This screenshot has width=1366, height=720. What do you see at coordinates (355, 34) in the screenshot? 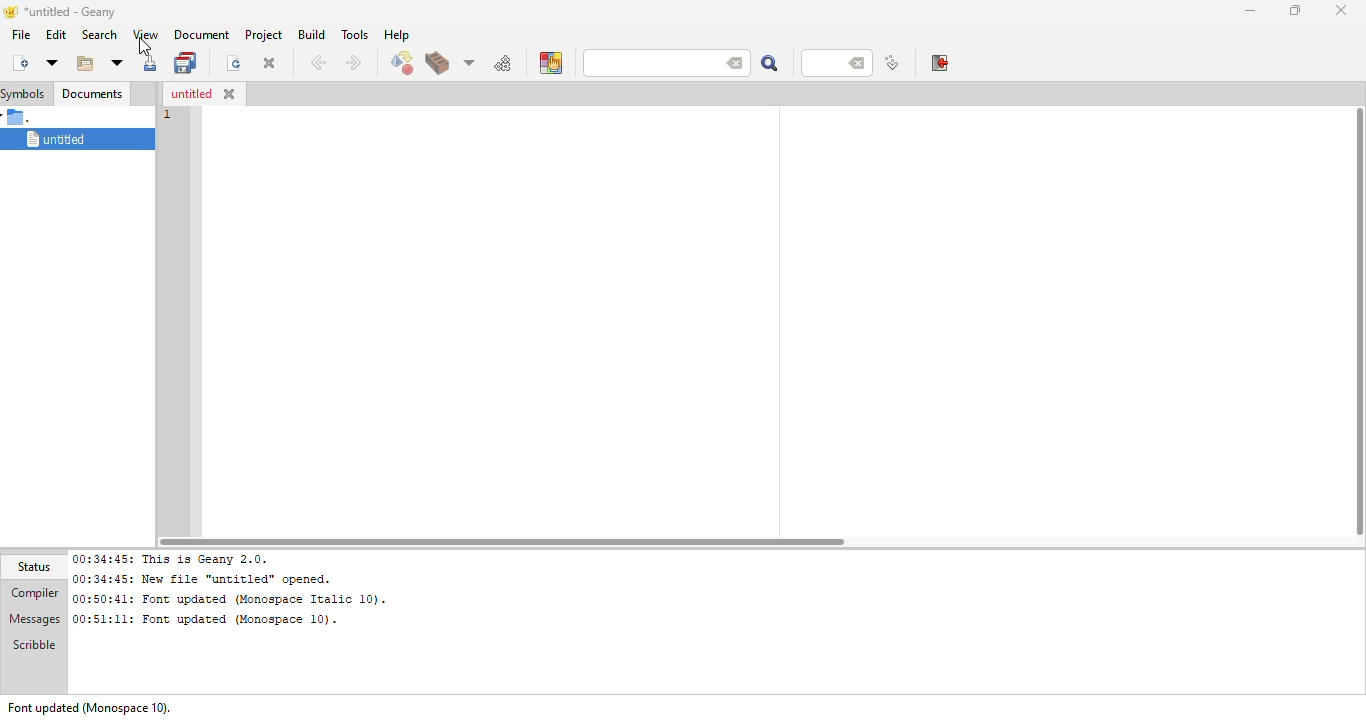
I see `tools` at bounding box center [355, 34].